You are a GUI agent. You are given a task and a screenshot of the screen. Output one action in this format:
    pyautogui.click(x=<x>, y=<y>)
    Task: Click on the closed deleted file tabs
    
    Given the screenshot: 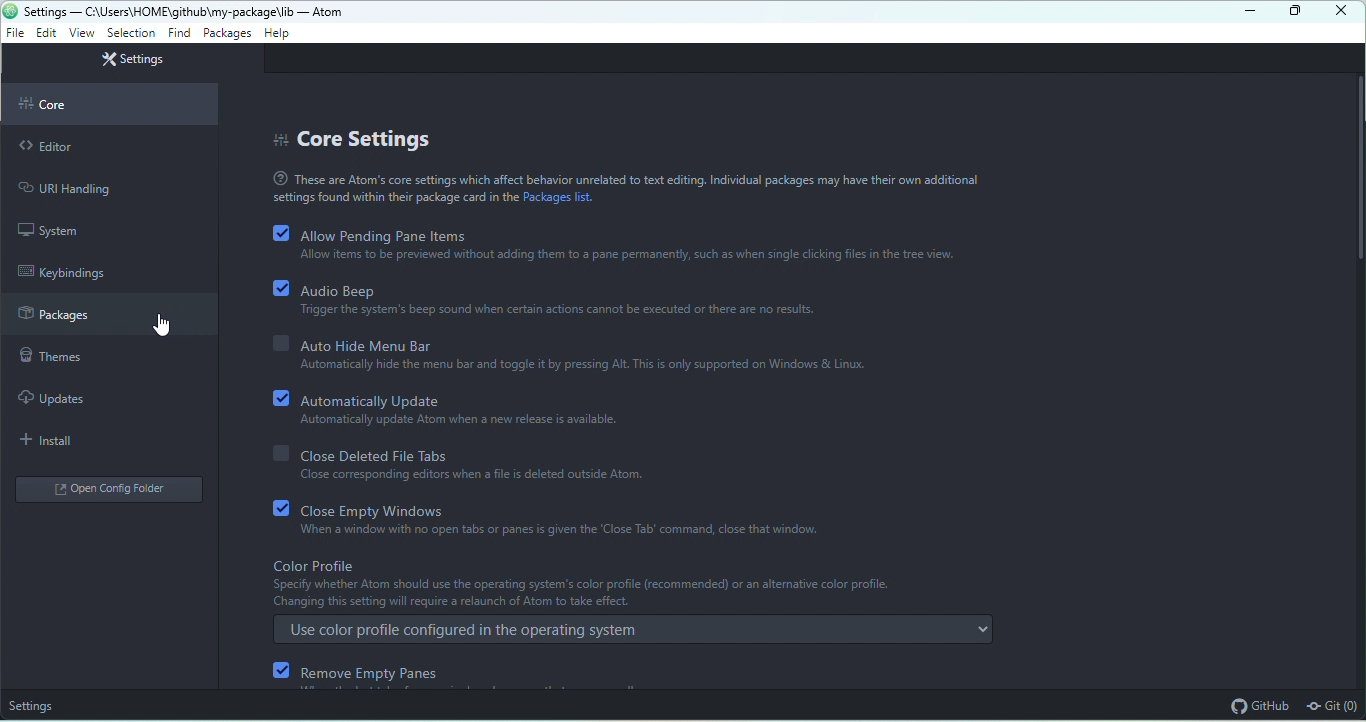 What is the action you would take?
    pyautogui.click(x=387, y=456)
    